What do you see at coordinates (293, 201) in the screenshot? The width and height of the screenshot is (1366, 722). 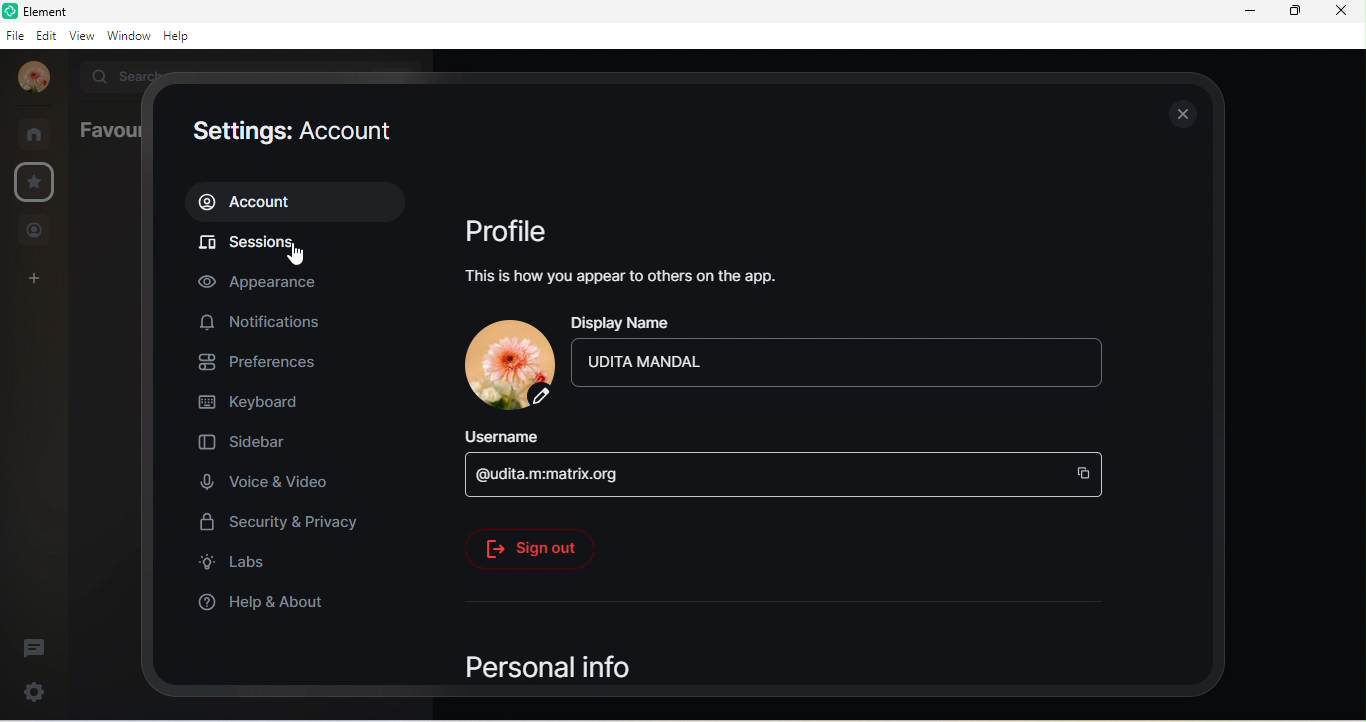 I see `account` at bounding box center [293, 201].